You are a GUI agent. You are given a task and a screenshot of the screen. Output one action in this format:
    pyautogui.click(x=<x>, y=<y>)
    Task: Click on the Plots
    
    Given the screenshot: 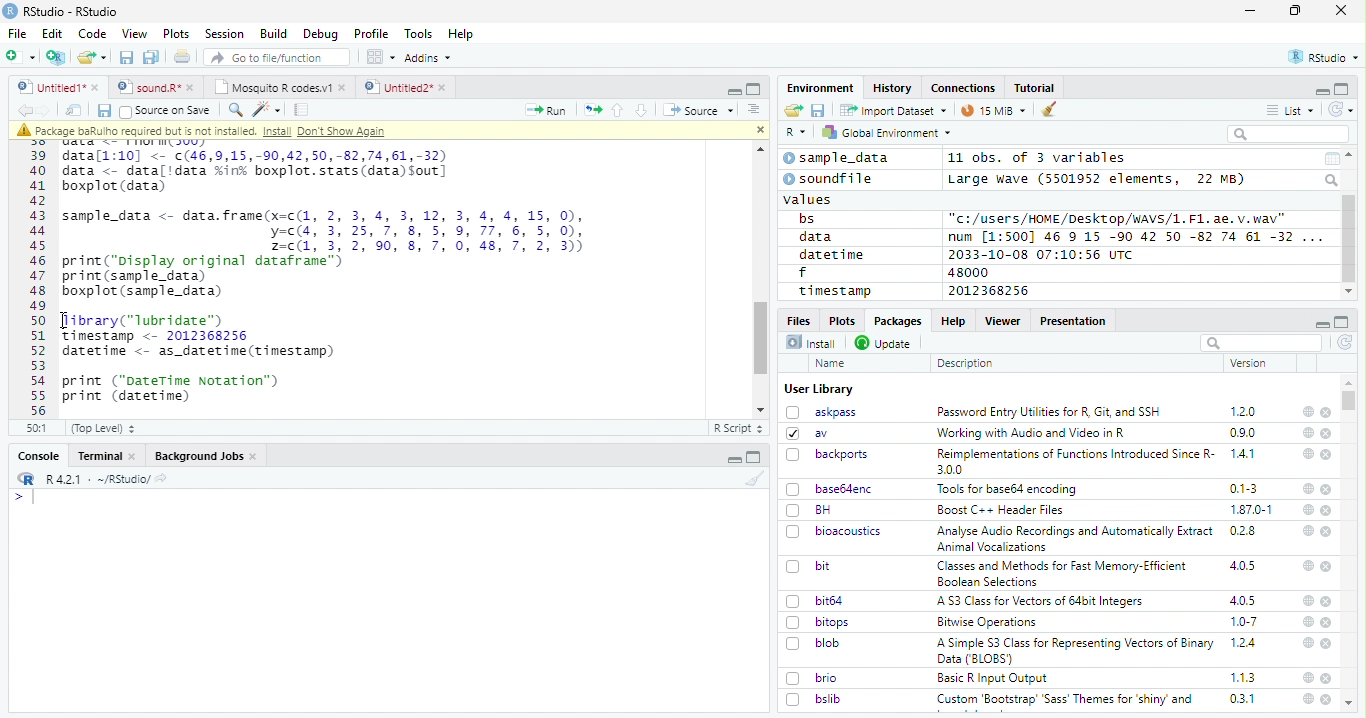 What is the action you would take?
    pyautogui.click(x=176, y=34)
    